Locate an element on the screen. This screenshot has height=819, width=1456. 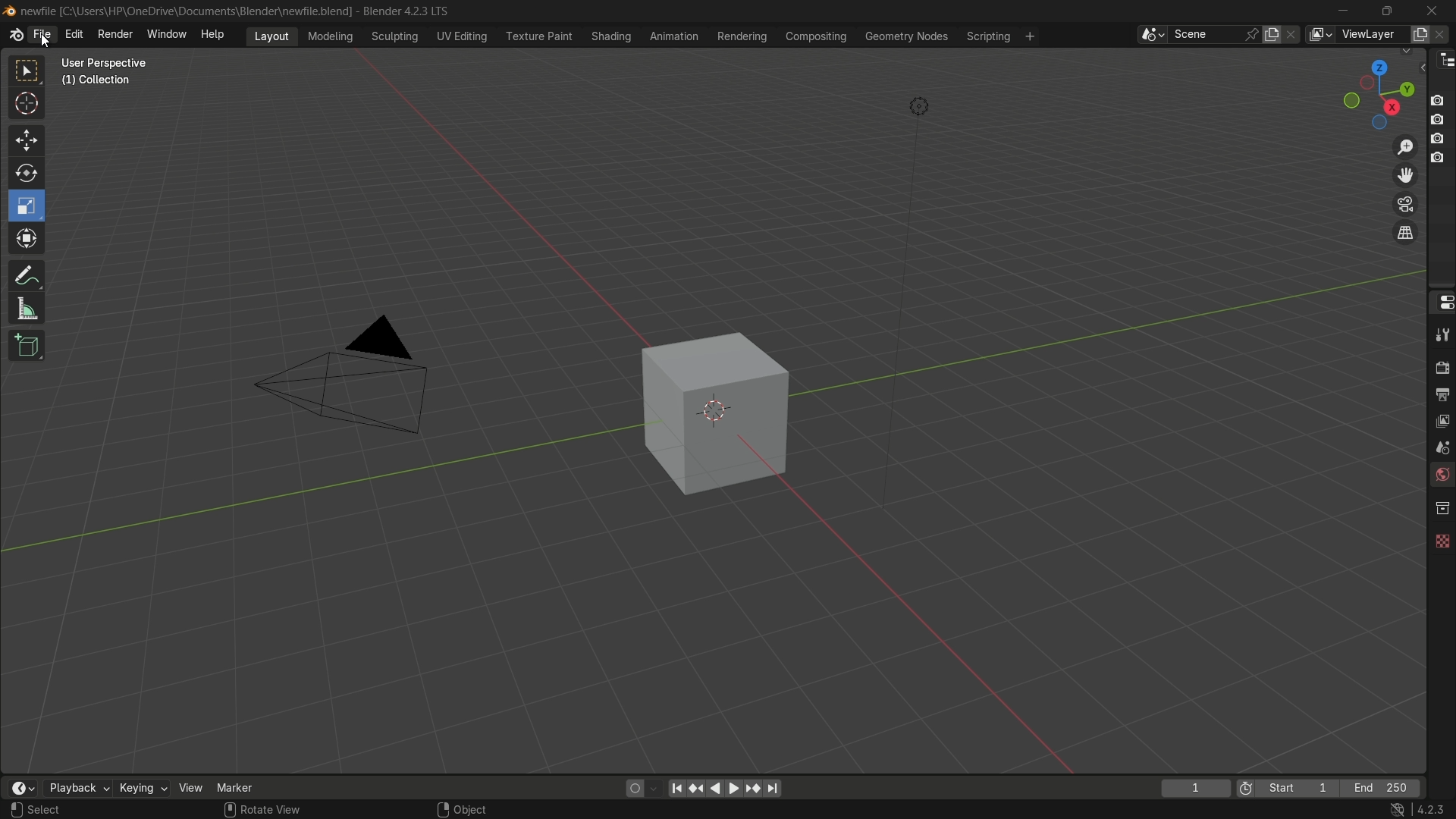
edit menu is located at coordinates (74, 34).